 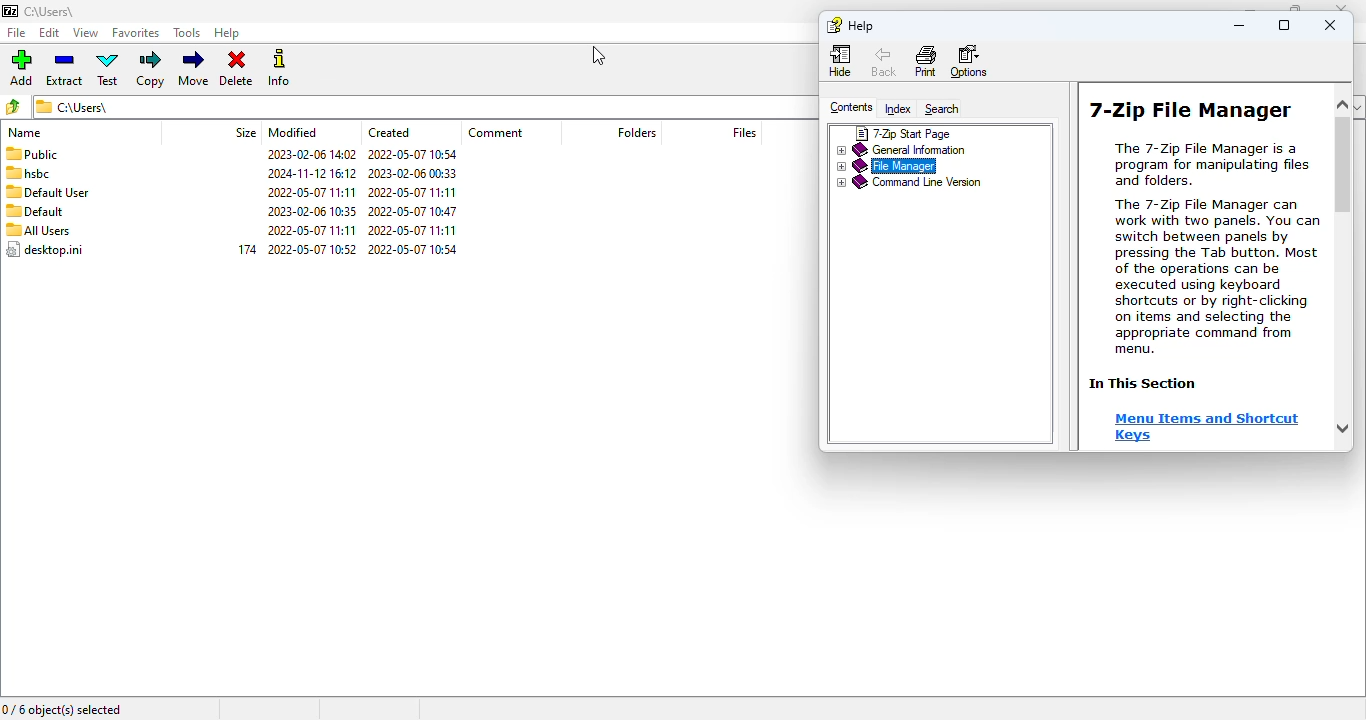 What do you see at coordinates (1336, 106) in the screenshot?
I see `scroll up` at bounding box center [1336, 106].